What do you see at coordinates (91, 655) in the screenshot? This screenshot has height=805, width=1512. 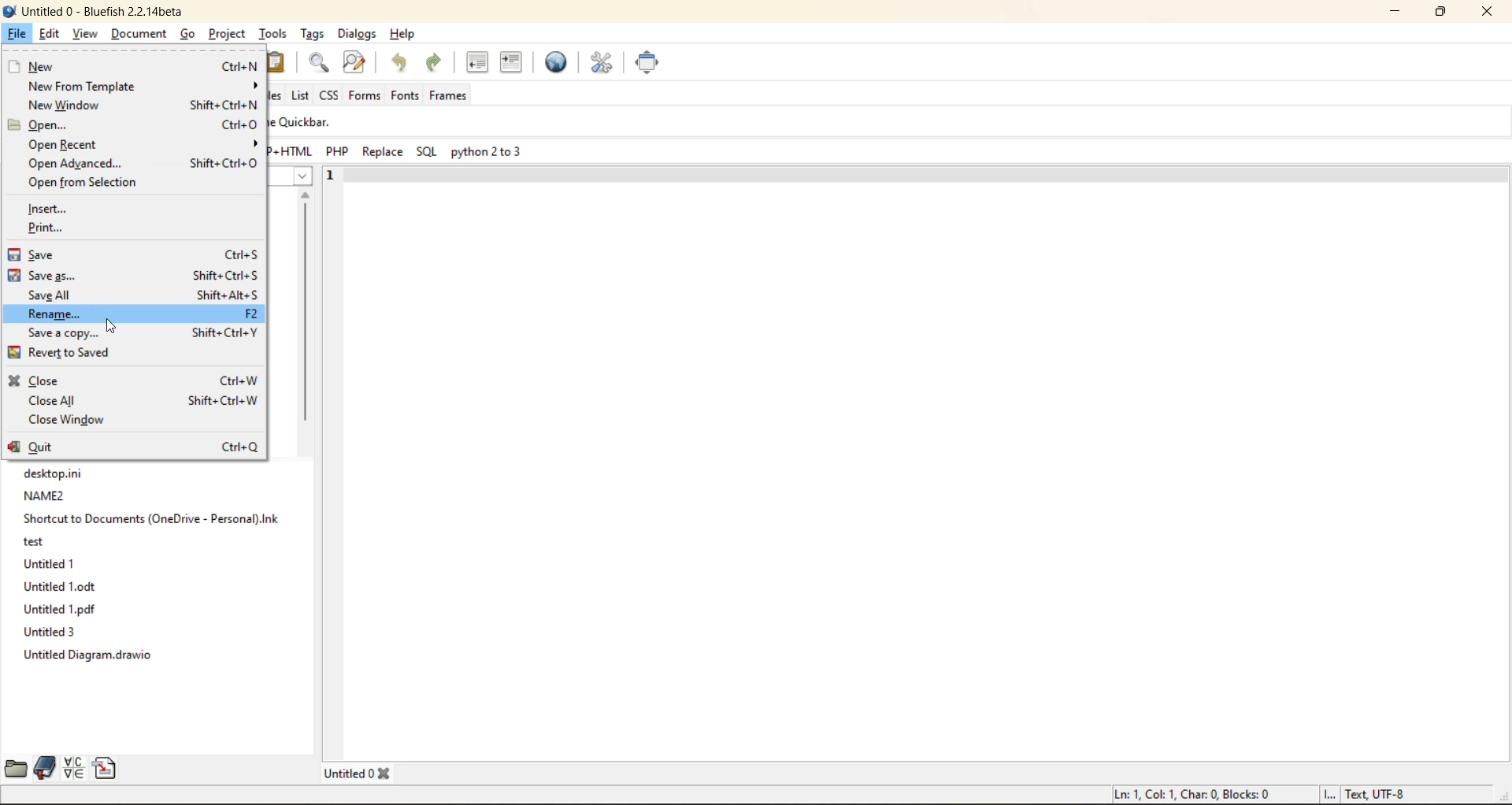 I see `Untitled Diagram.drawio` at bounding box center [91, 655].